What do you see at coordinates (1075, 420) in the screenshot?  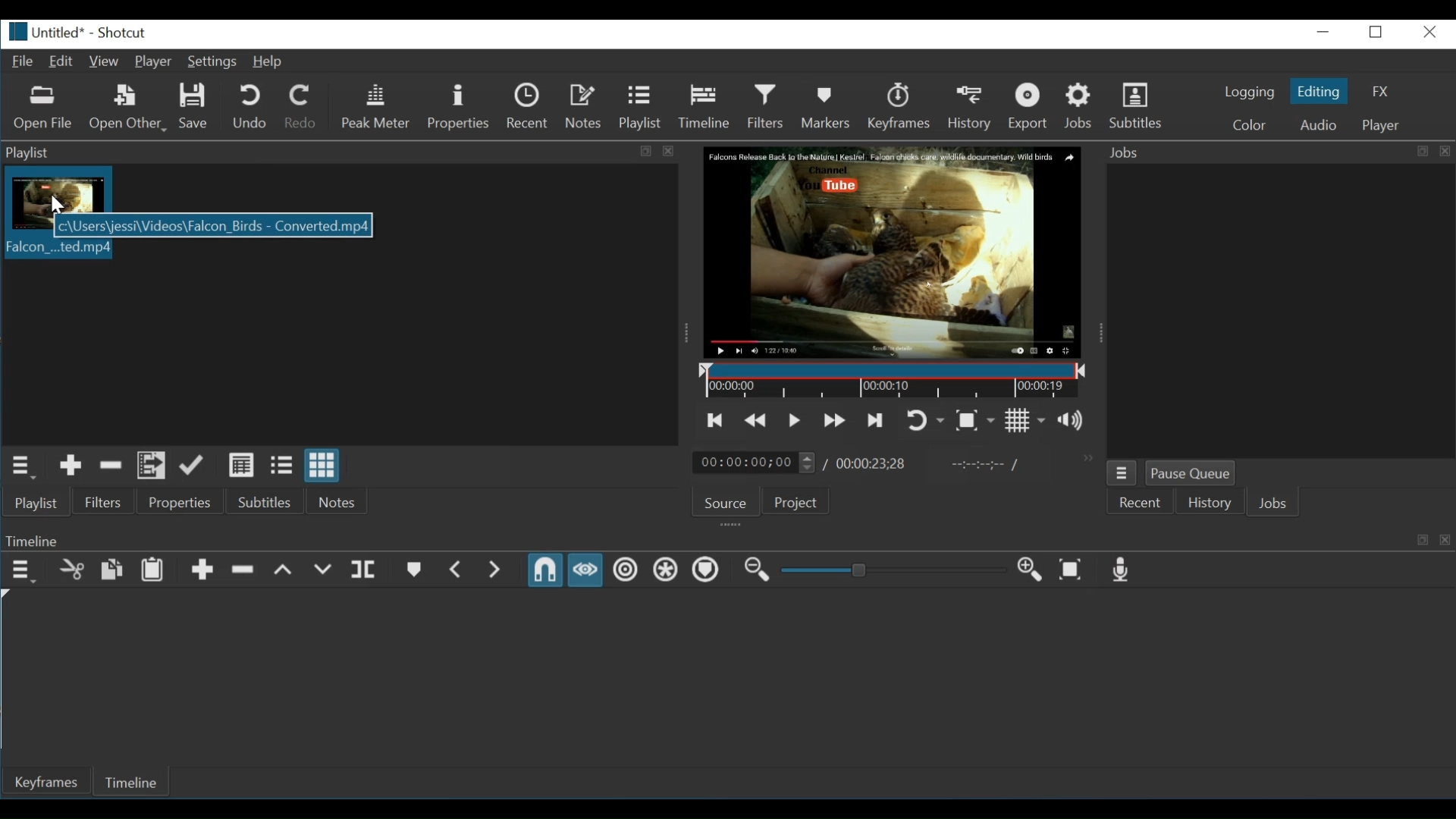 I see `show the volume control` at bounding box center [1075, 420].